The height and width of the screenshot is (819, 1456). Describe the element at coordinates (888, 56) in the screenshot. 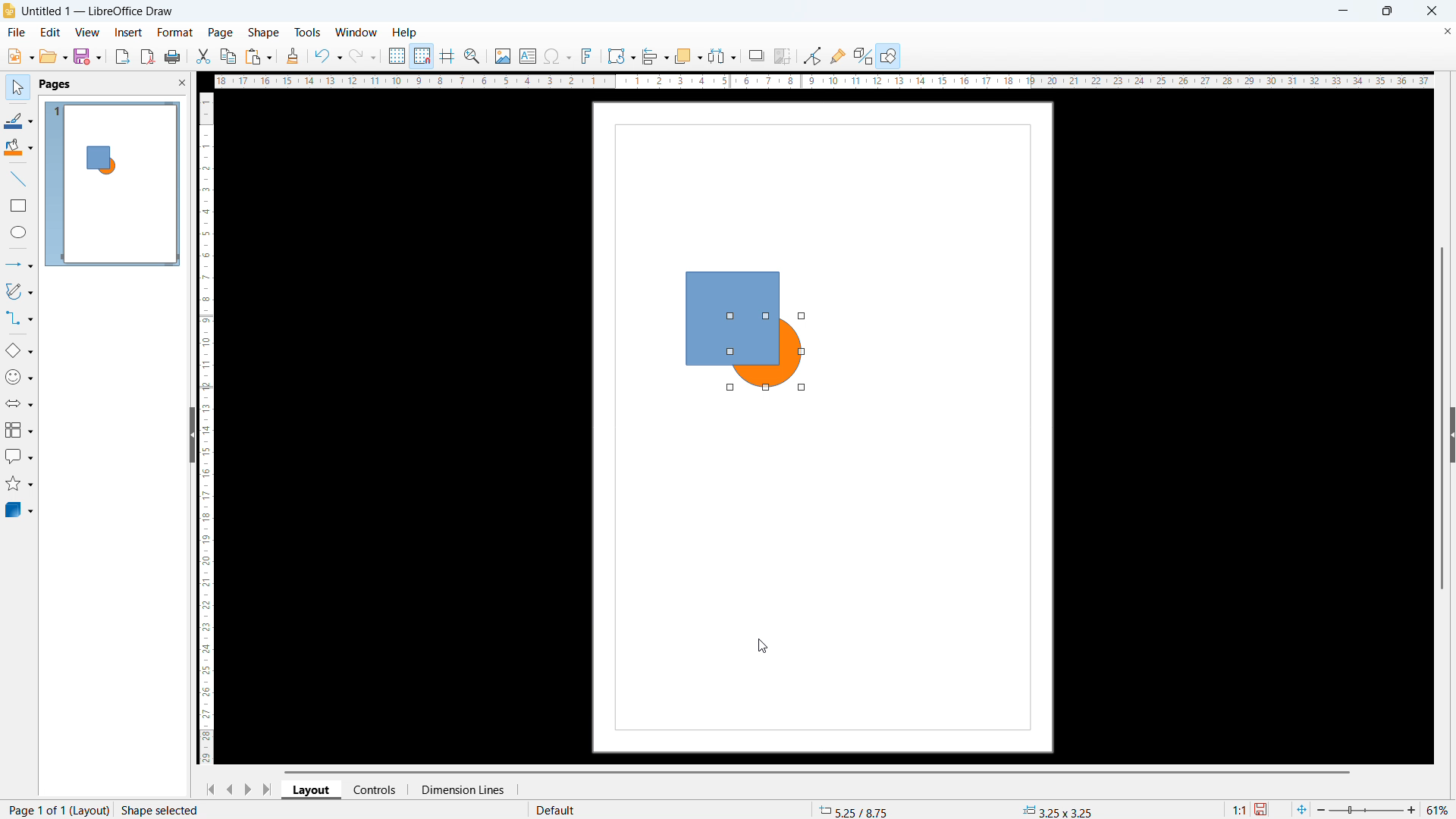

I see `show draw functions` at that location.